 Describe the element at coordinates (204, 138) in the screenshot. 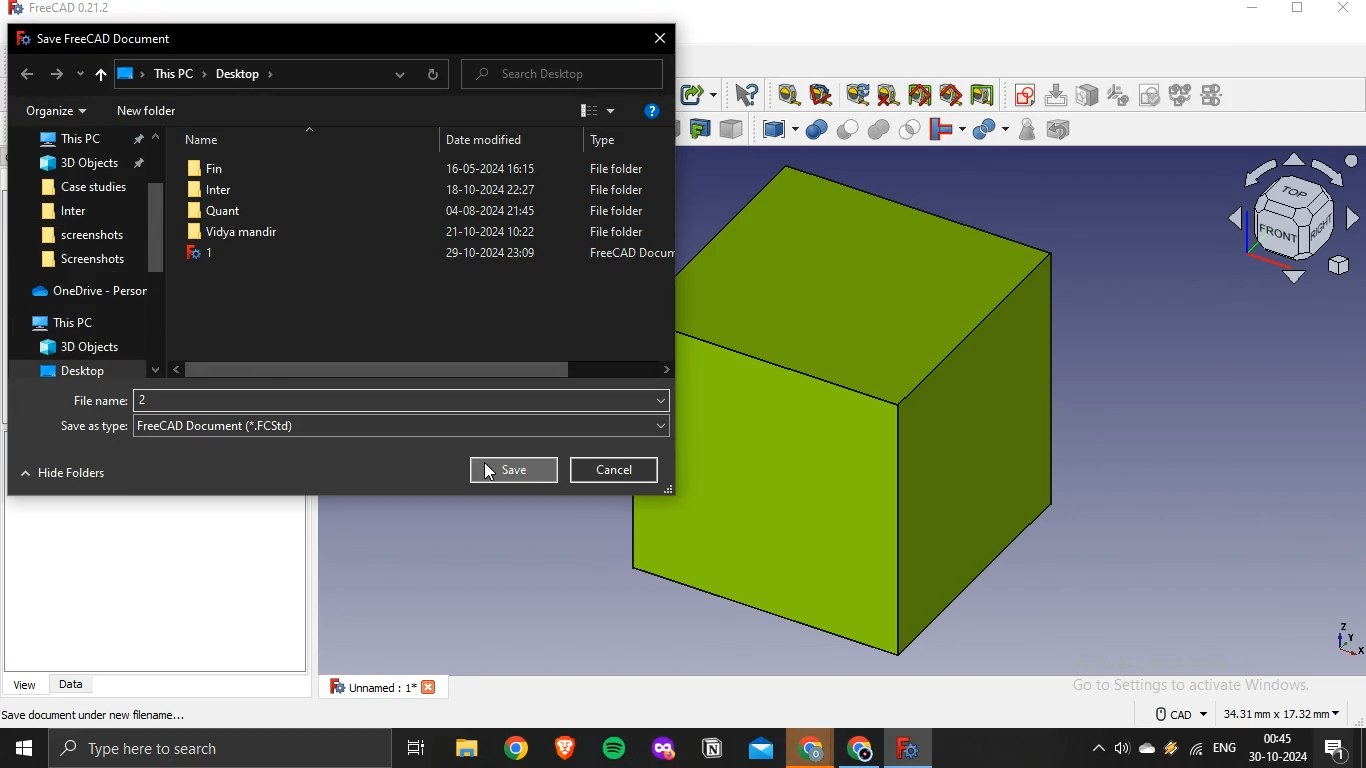

I see `Name` at that location.